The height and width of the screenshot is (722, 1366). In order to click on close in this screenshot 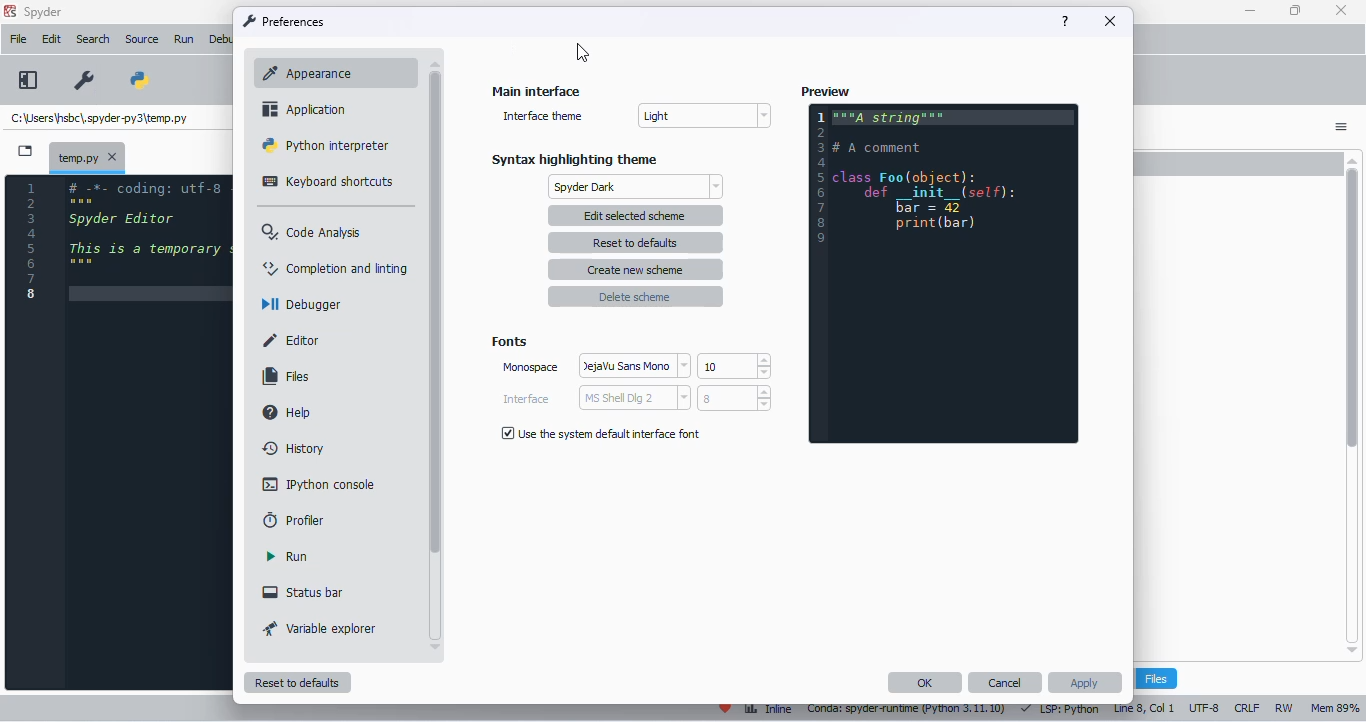, I will do `click(1110, 22)`.